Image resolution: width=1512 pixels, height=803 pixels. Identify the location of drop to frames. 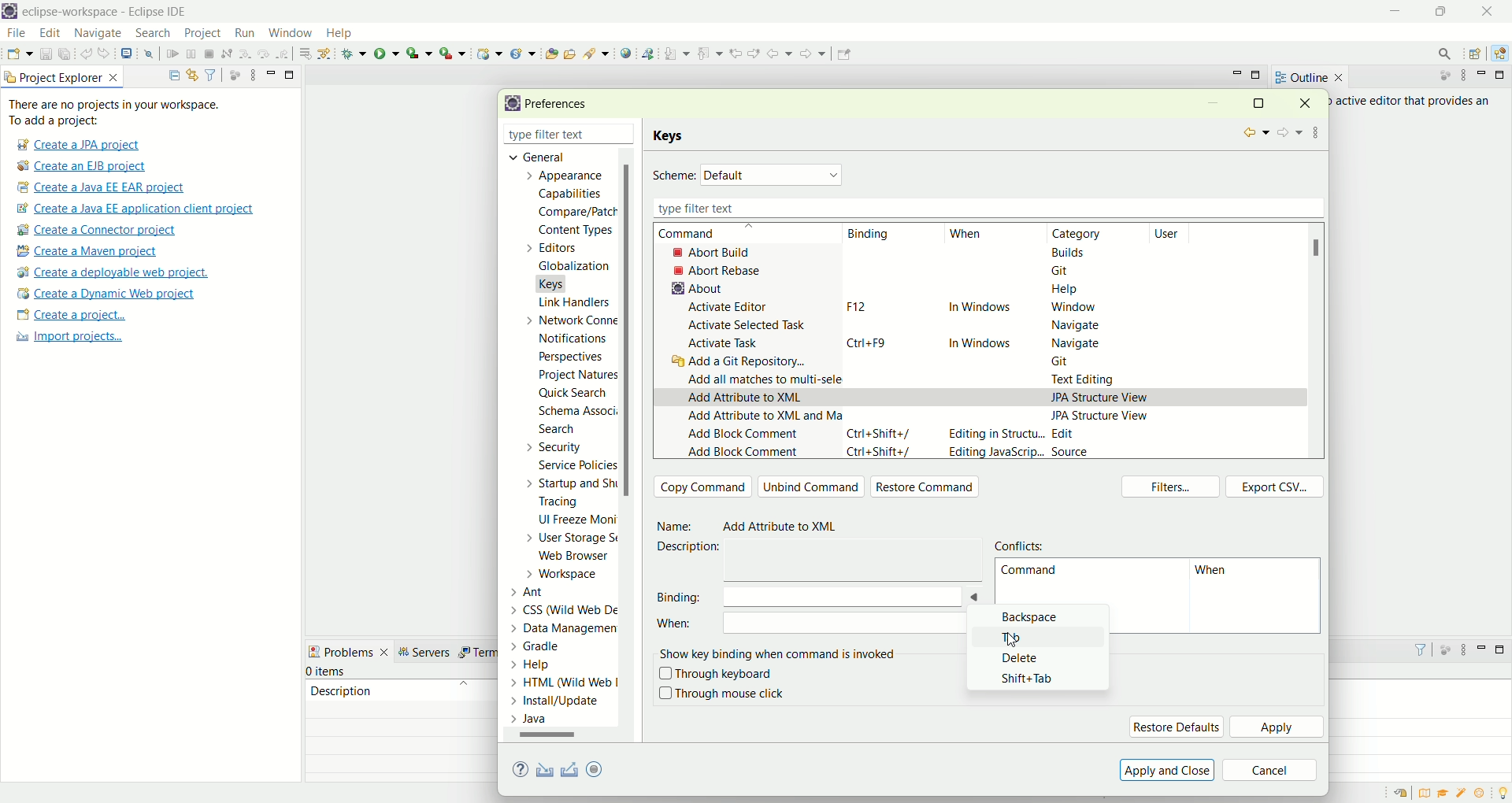
(306, 54).